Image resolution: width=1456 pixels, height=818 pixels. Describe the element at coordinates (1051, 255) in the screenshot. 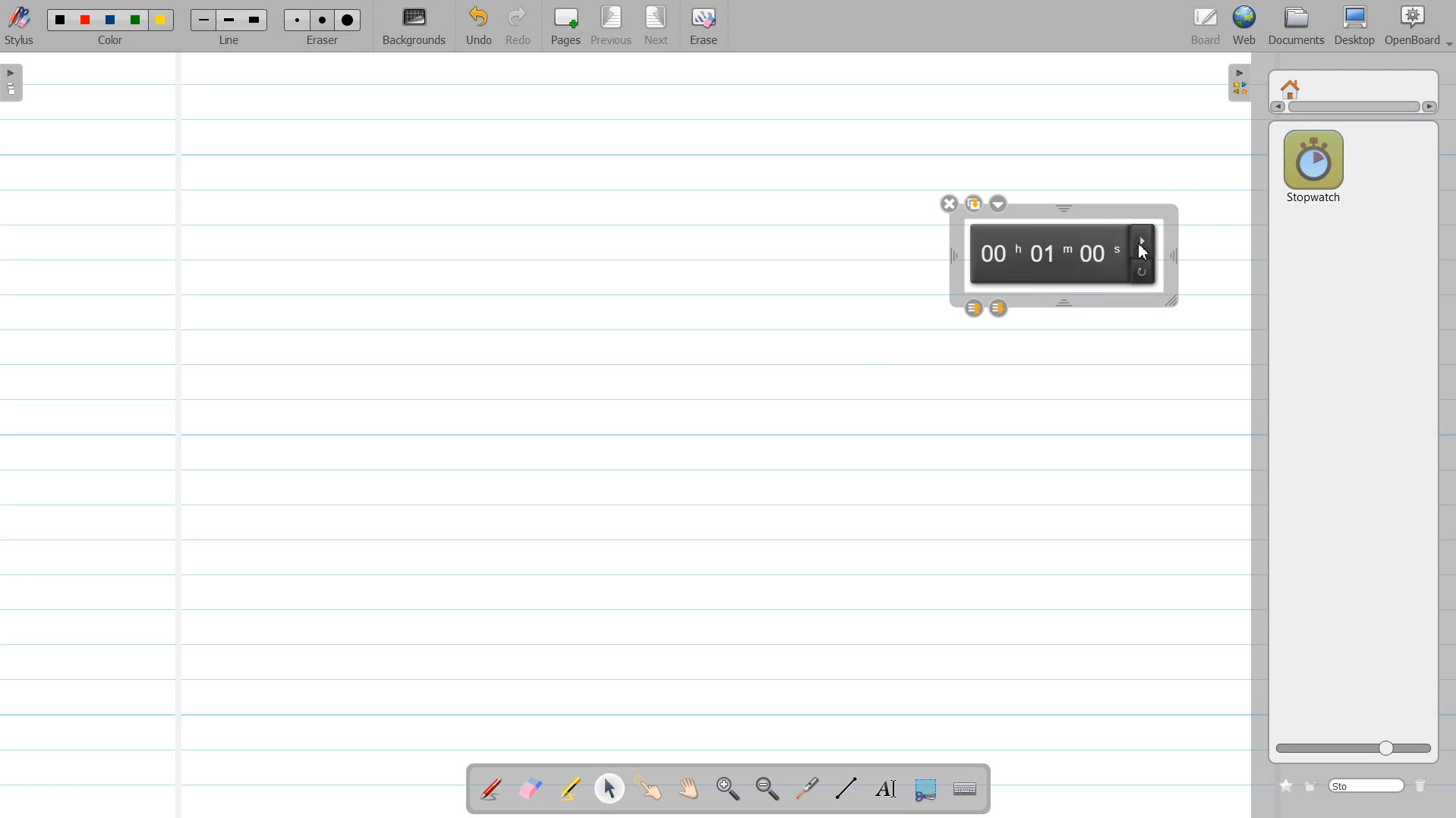

I see `01 Minute set` at that location.